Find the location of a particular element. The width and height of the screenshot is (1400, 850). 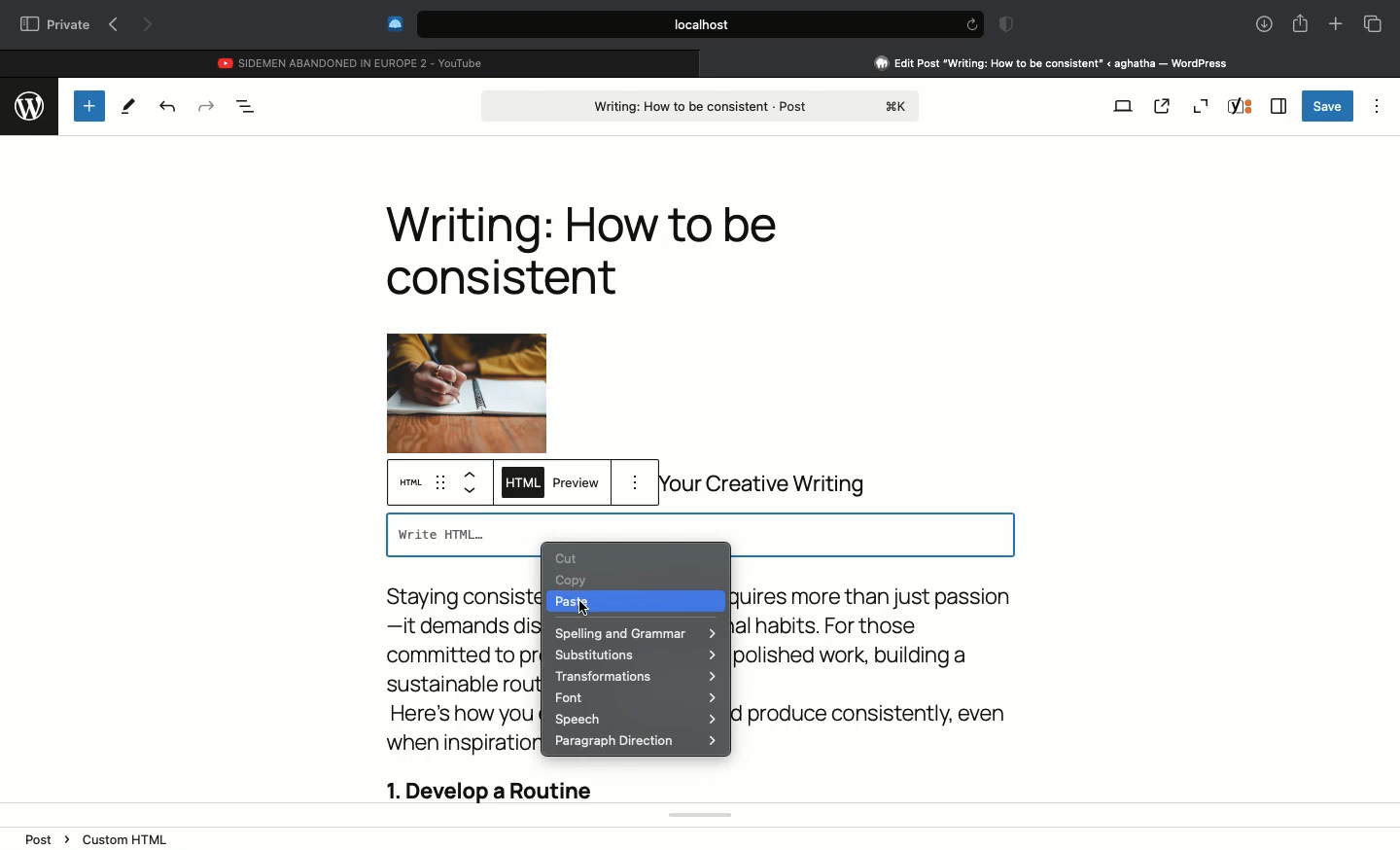

Search bar is located at coordinates (682, 24).